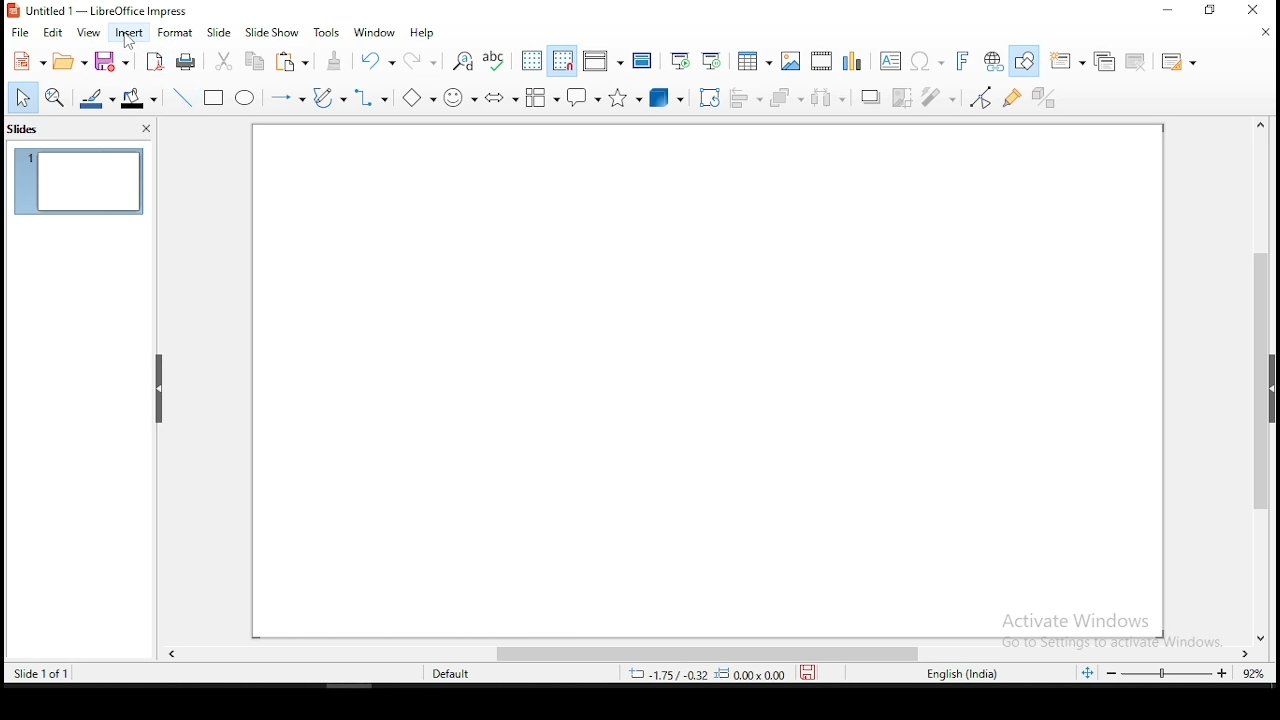  I want to click on slide 1 of 1, so click(53, 673).